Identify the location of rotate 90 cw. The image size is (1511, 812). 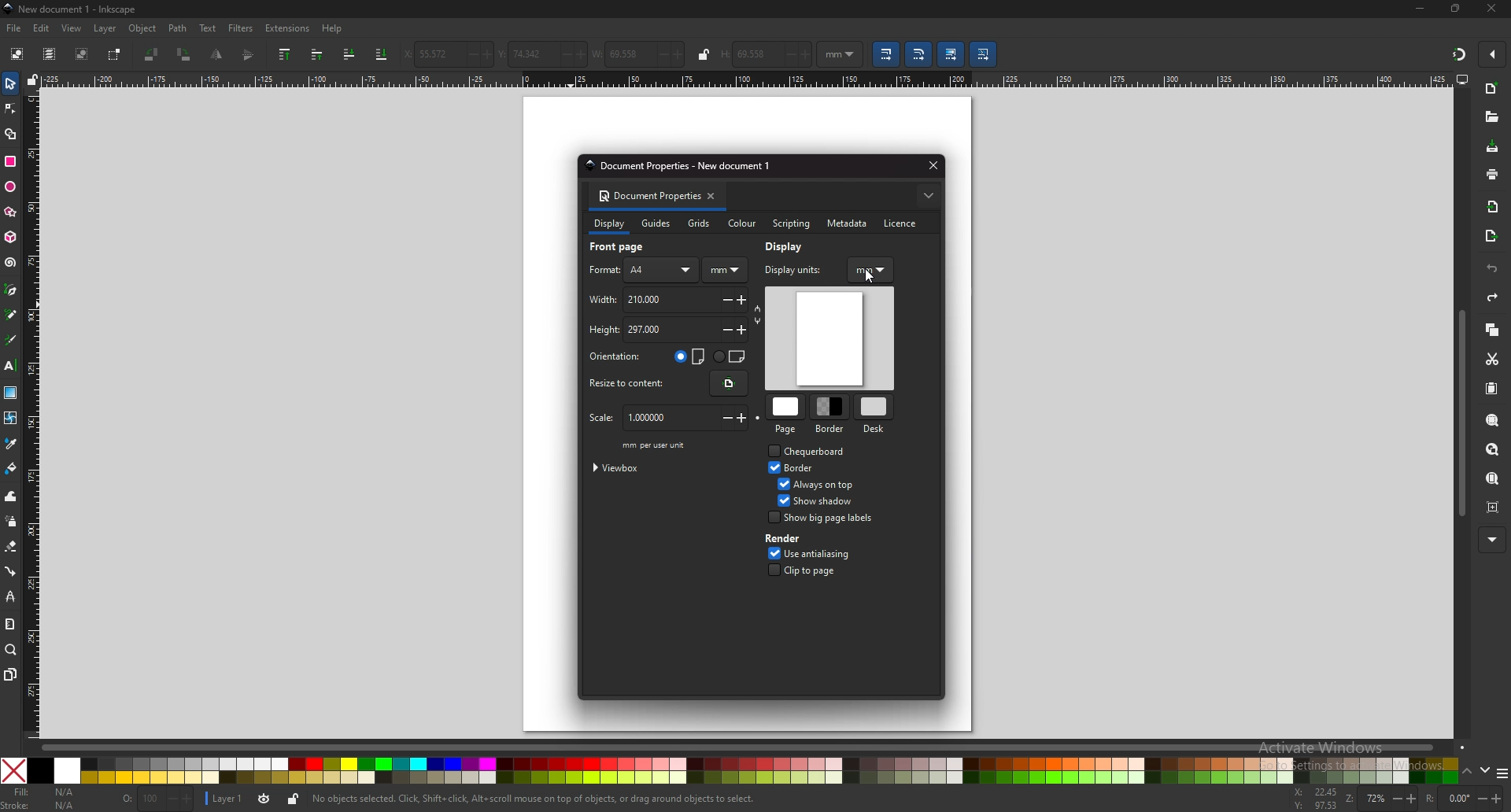
(185, 56).